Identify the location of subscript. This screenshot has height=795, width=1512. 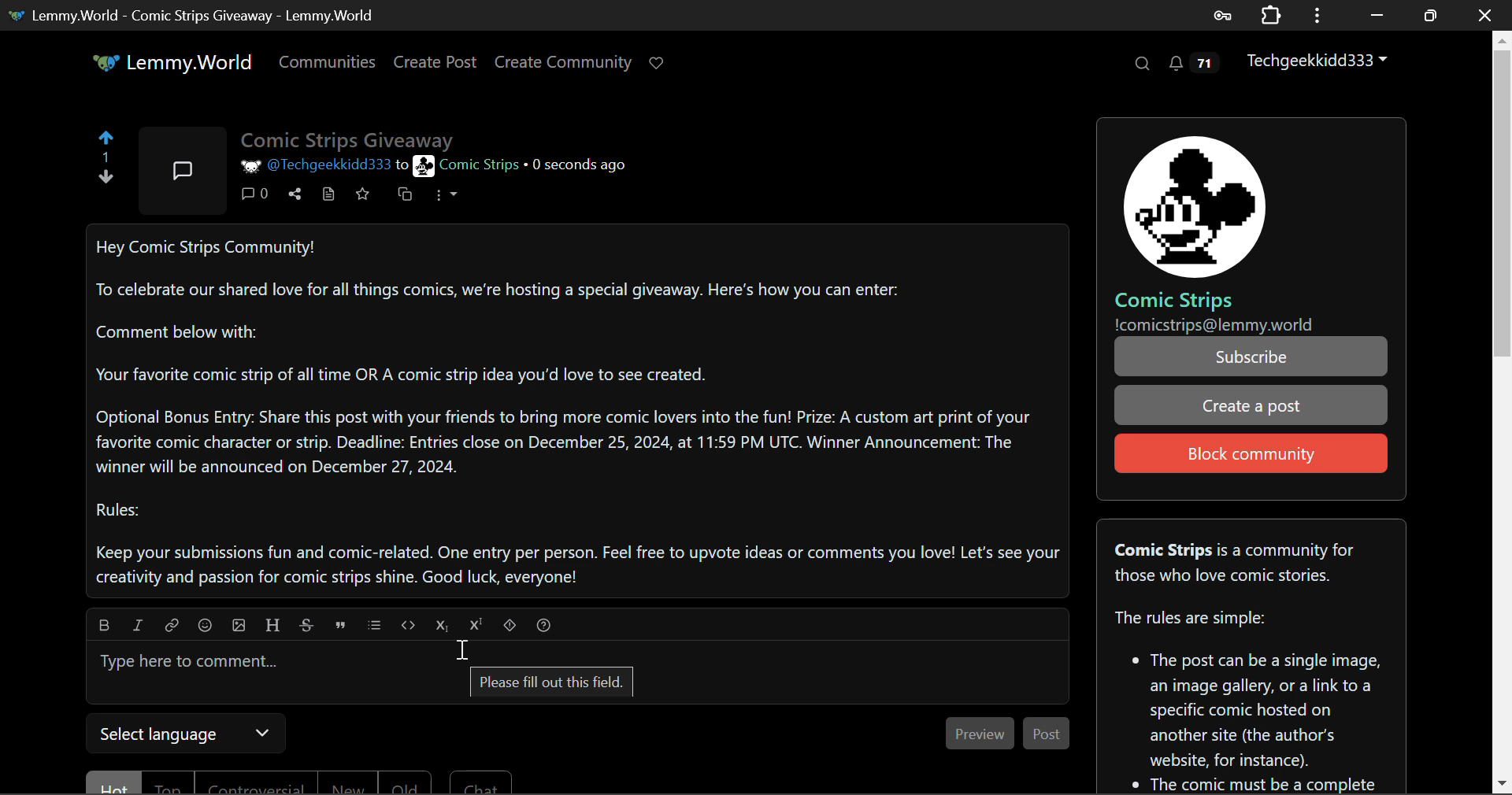
(443, 623).